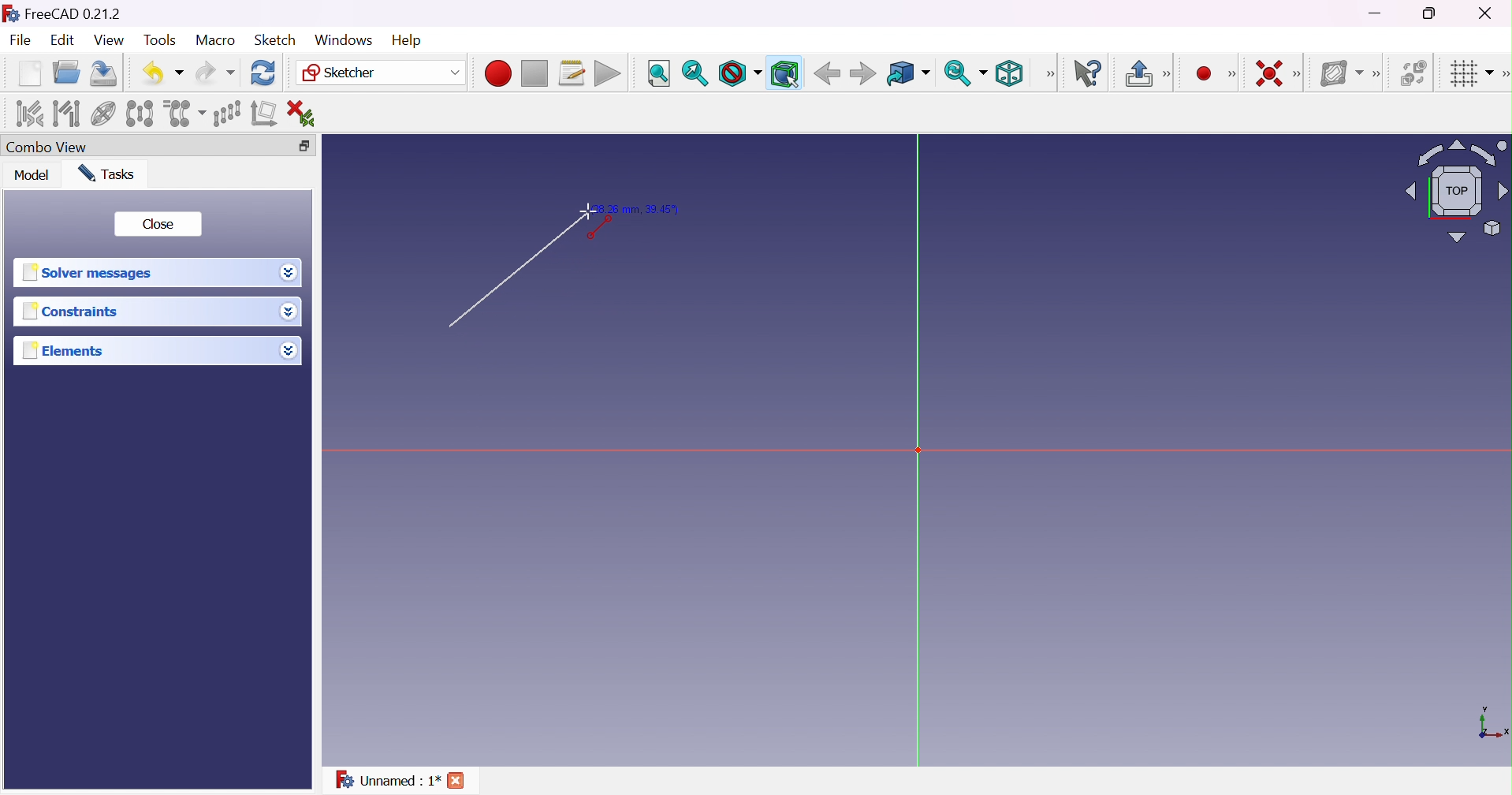  Describe the element at coordinates (1503, 77) in the screenshot. I see `[Sketcher edit tools]` at that location.